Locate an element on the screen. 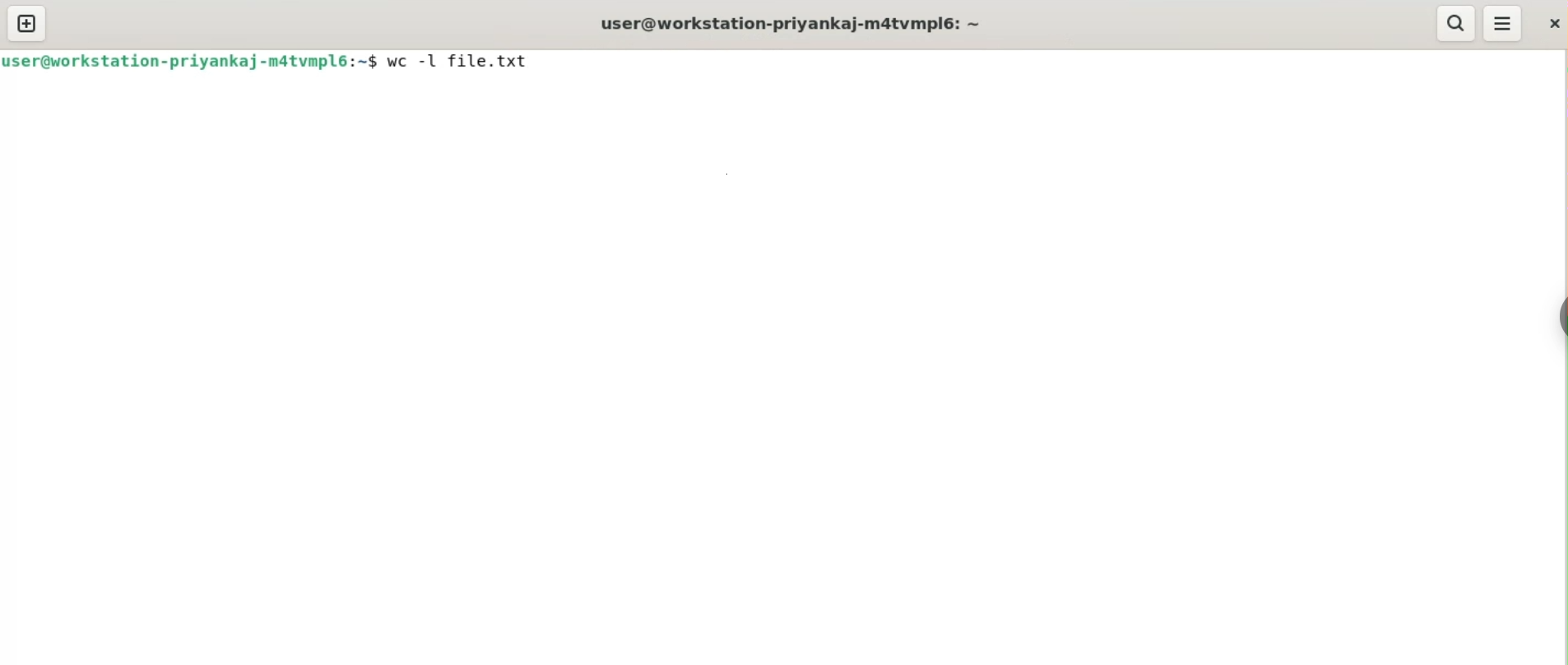 Image resolution: width=1568 pixels, height=665 pixels. user@workstation-priyankaj-m4tvmpl6: ~$ is located at coordinates (191, 61).